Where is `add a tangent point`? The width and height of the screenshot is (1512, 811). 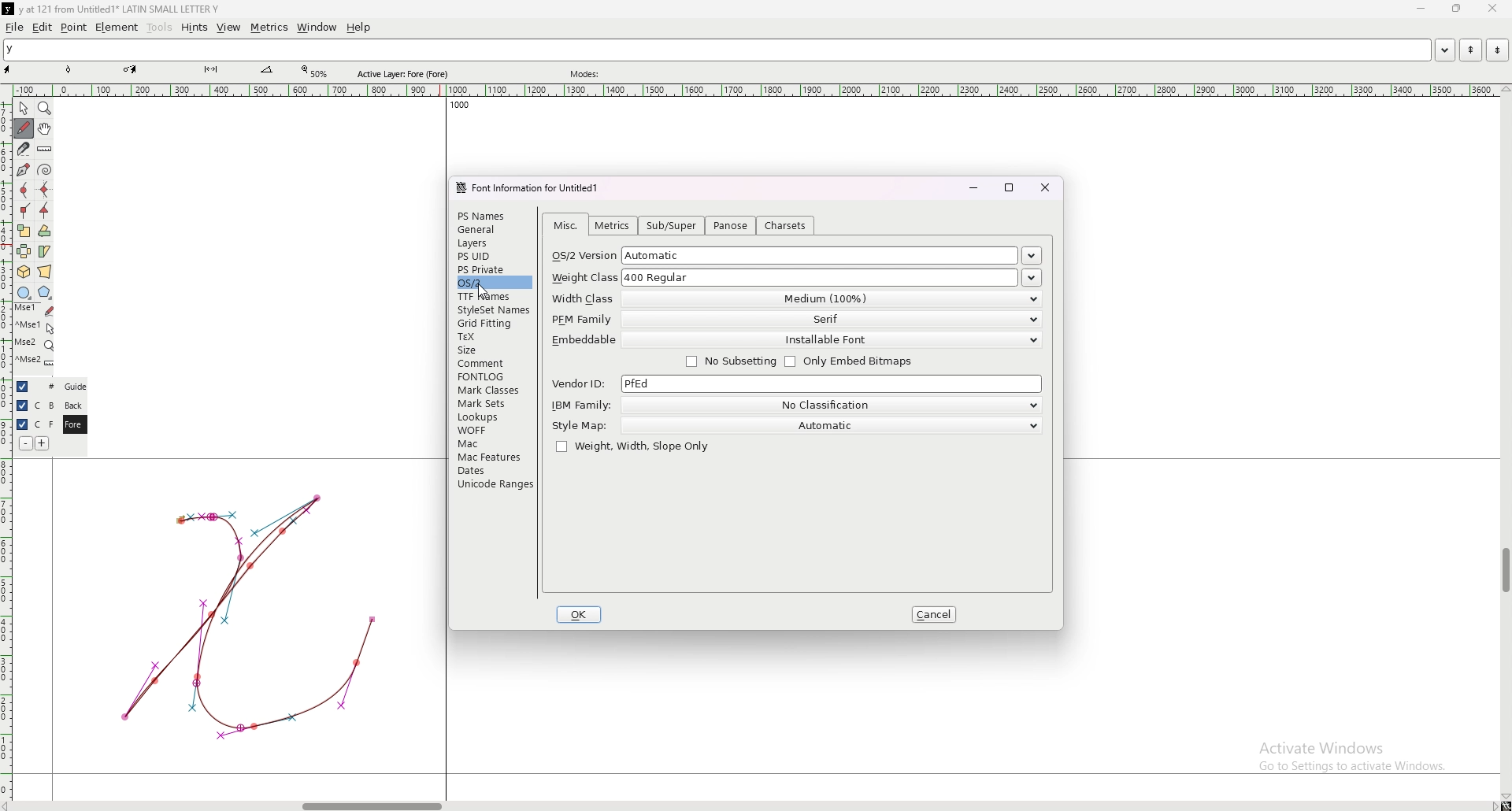 add a tangent point is located at coordinates (45, 211).